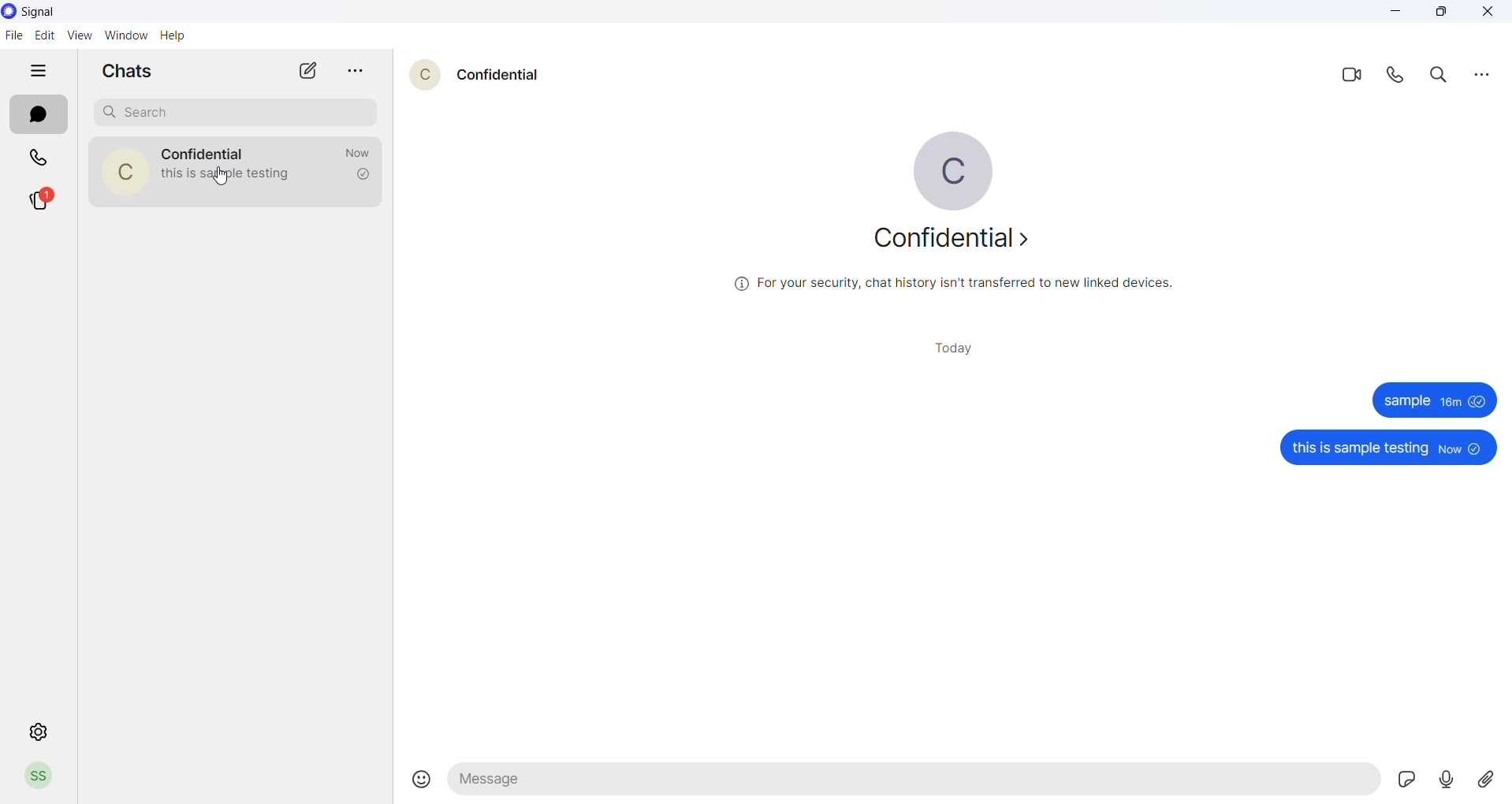 This screenshot has width=1512, height=804. Describe the element at coordinates (1479, 403) in the screenshot. I see `seen` at that location.